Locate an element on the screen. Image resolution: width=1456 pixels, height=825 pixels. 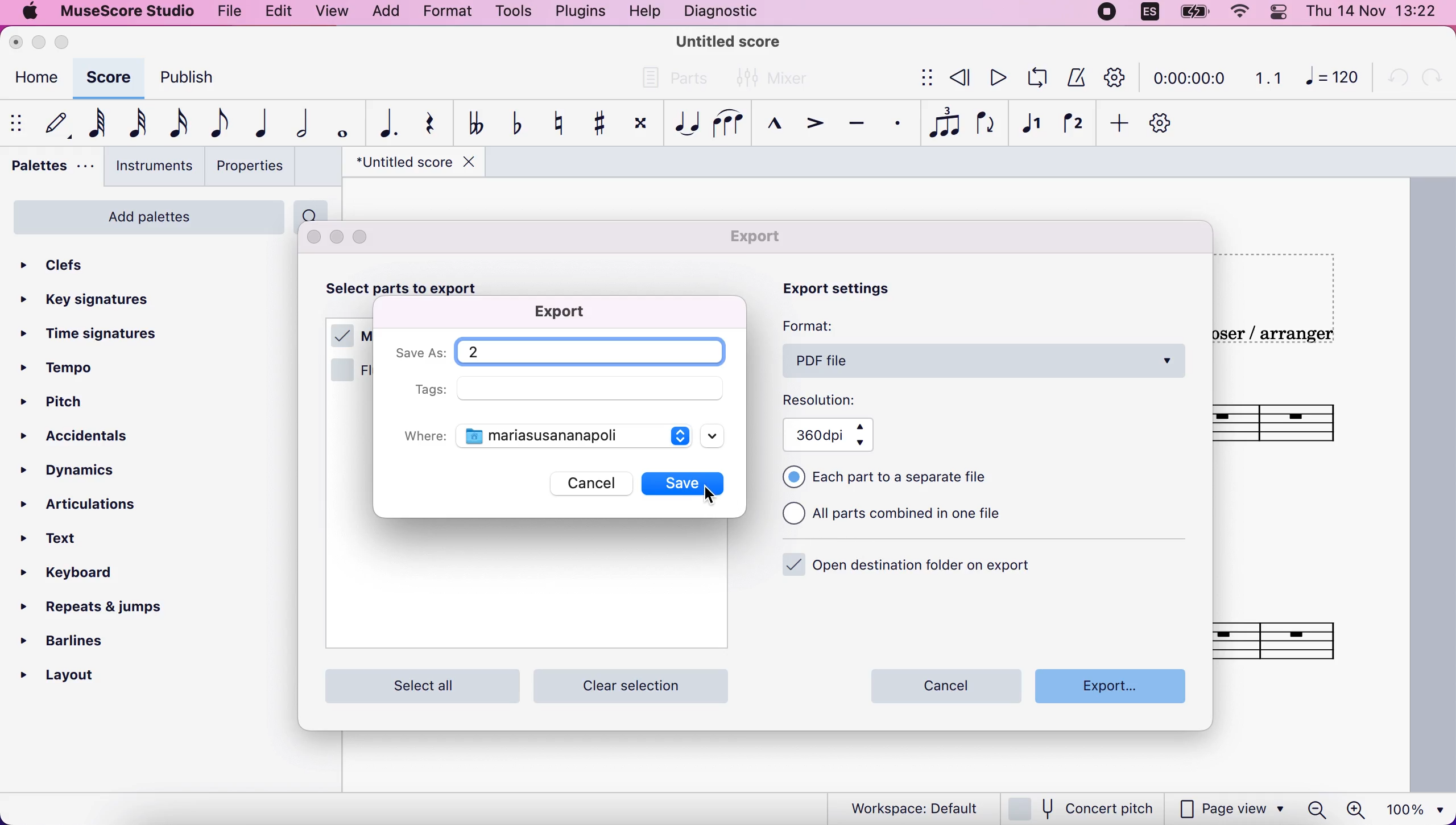
title is located at coordinates (596, 351).